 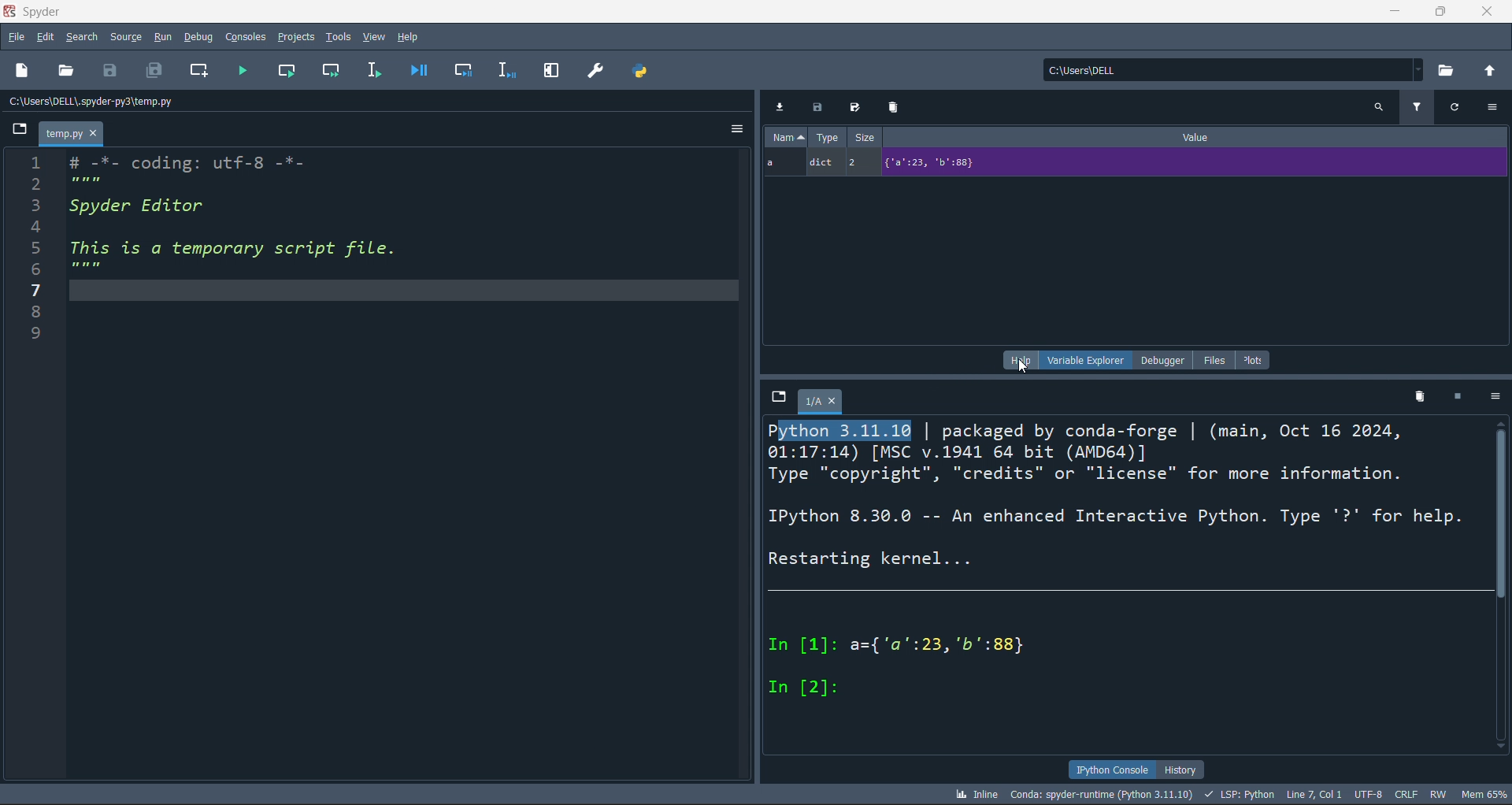 I want to click on more options, so click(x=1494, y=400).